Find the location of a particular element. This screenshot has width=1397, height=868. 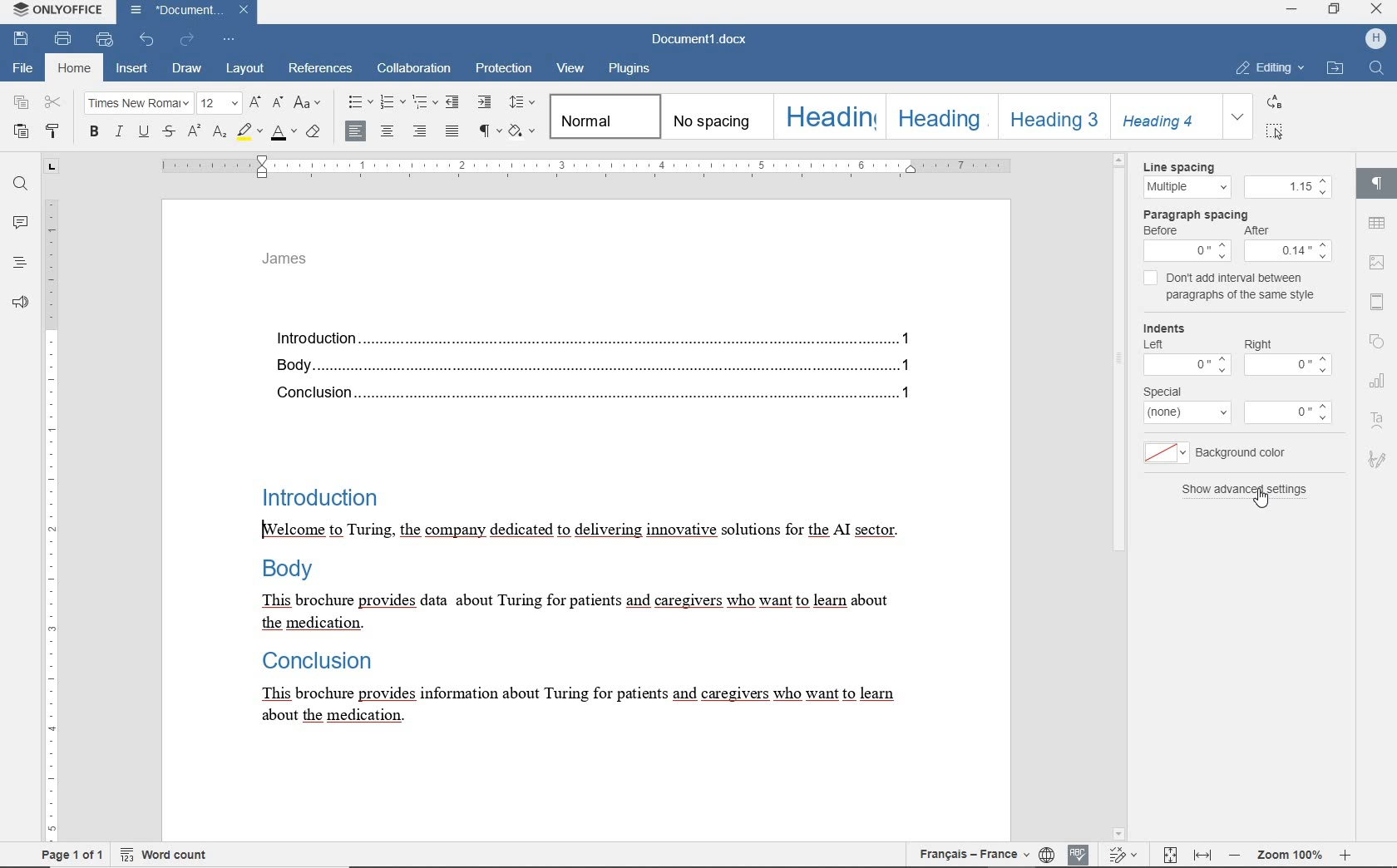

heading 3 is located at coordinates (1049, 117).